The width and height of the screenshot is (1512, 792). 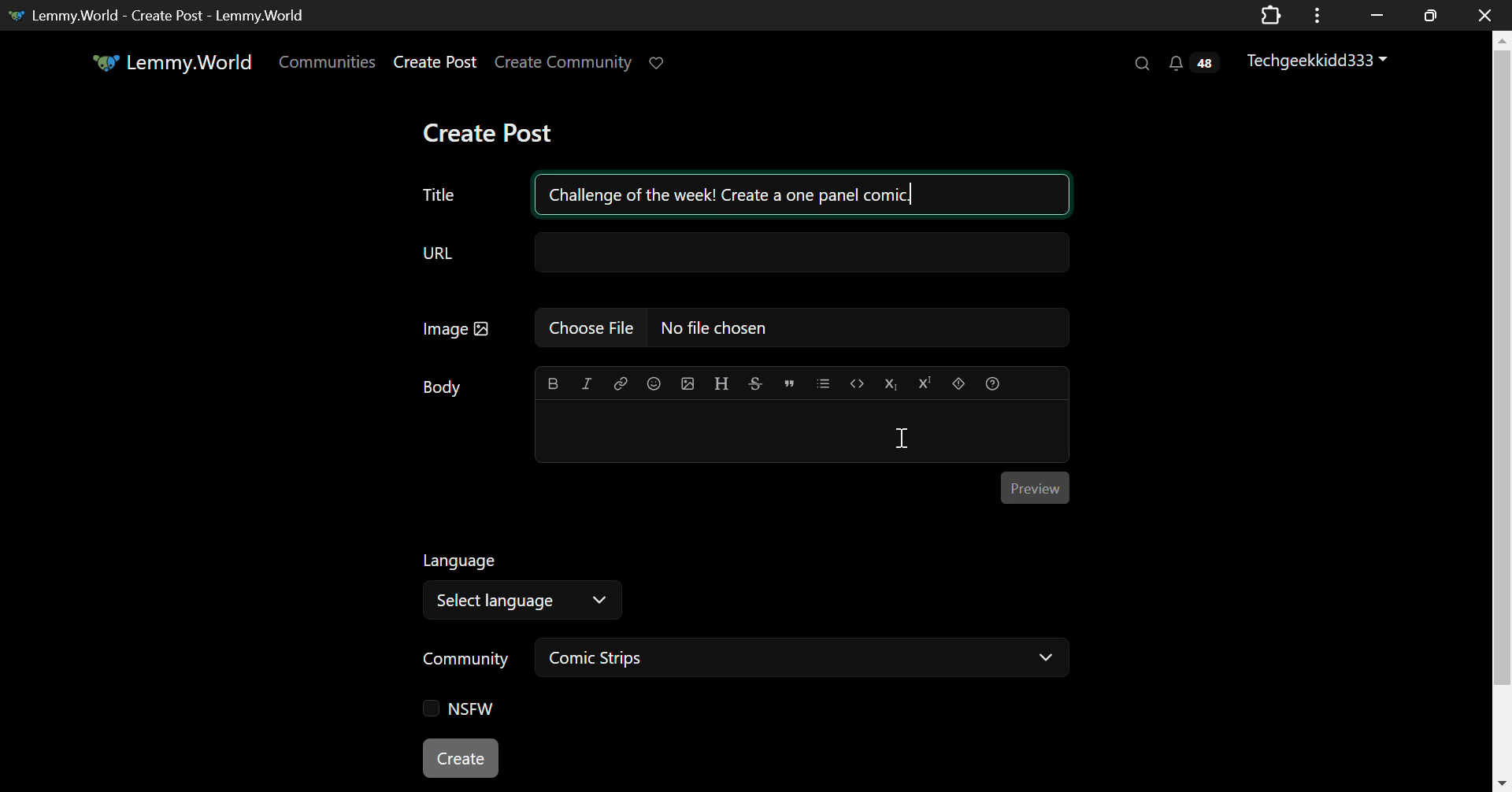 What do you see at coordinates (459, 561) in the screenshot?
I see `Language` at bounding box center [459, 561].